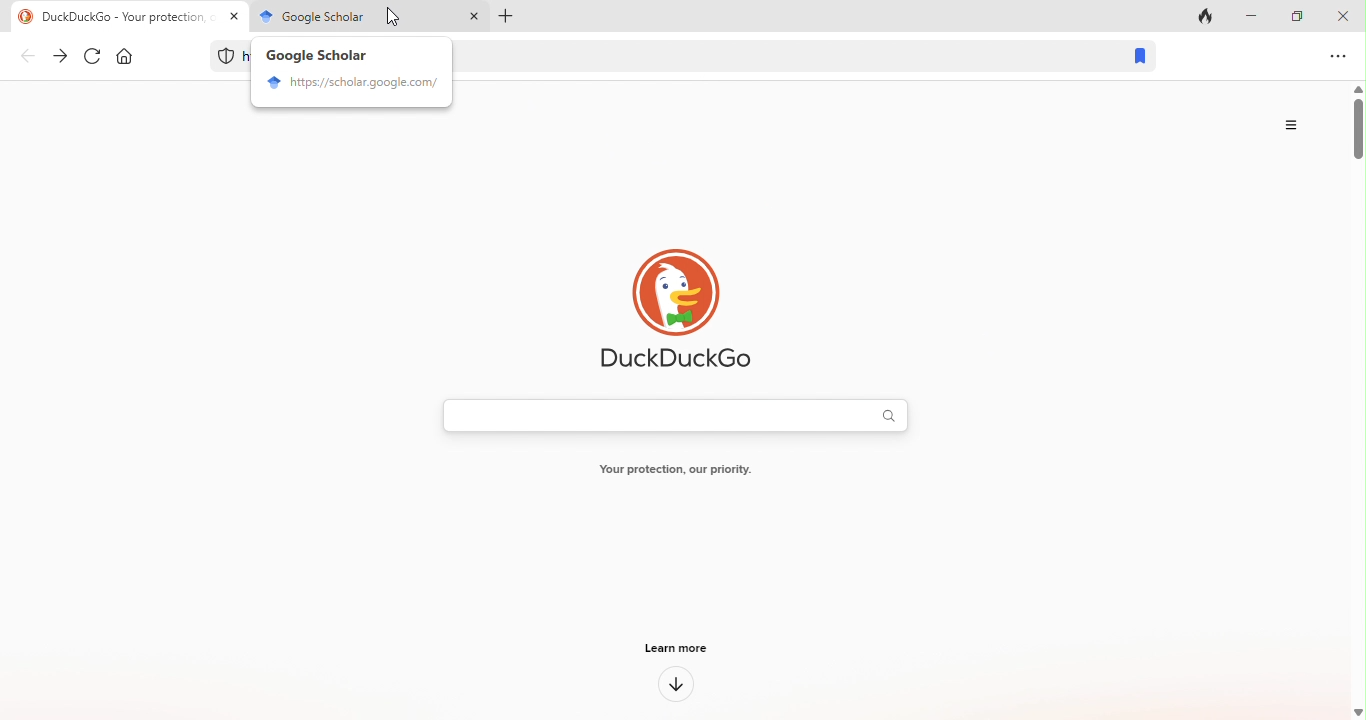 The width and height of the screenshot is (1366, 720). Describe the element at coordinates (1346, 15) in the screenshot. I see `close` at that location.